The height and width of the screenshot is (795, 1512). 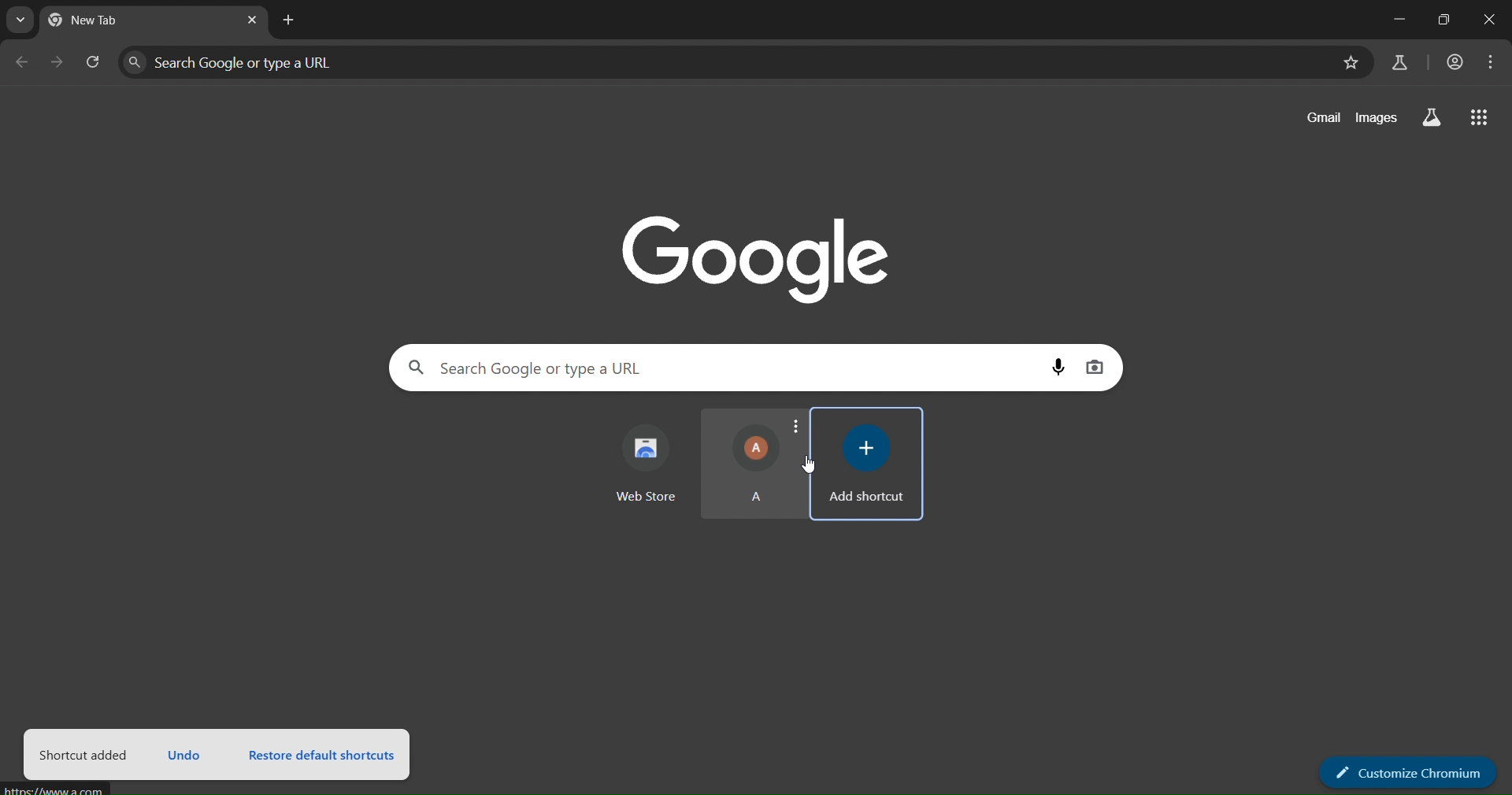 What do you see at coordinates (186, 752) in the screenshot?
I see `undo` at bounding box center [186, 752].